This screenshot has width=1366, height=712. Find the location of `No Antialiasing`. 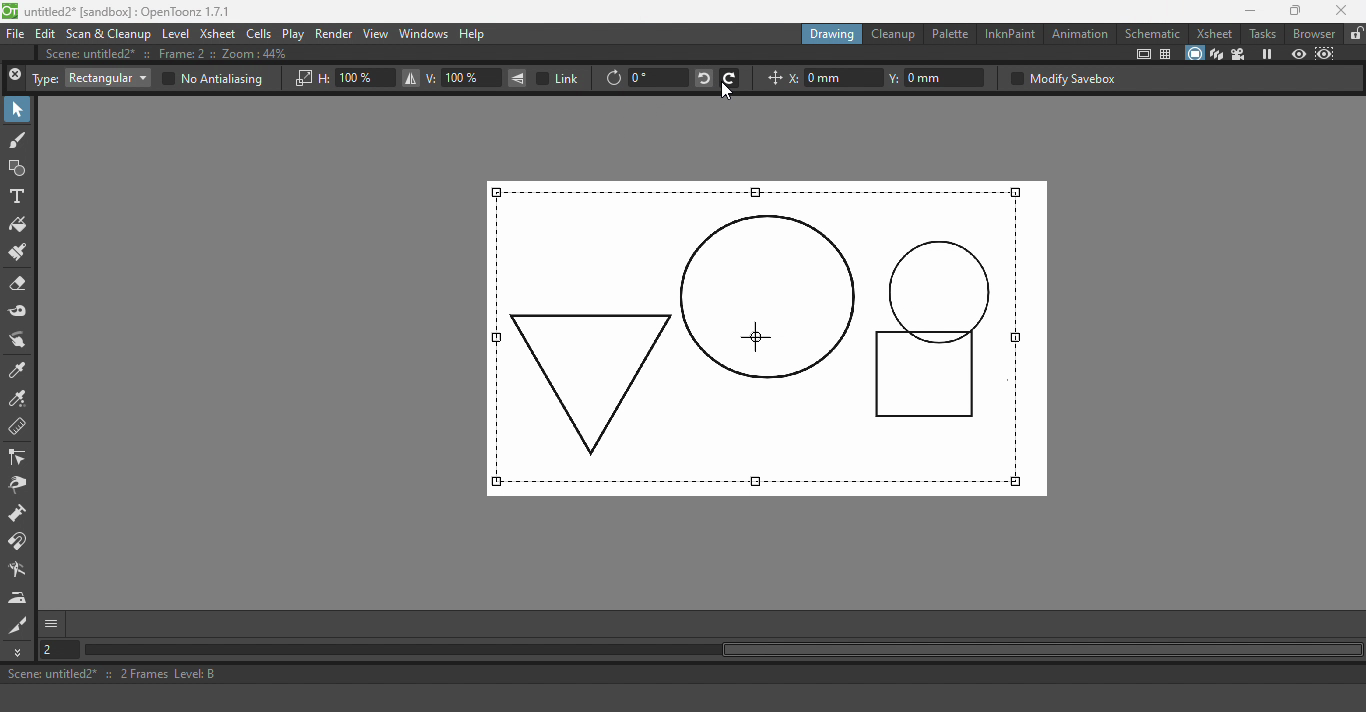

No Antialiasing is located at coordinates (211, 79).